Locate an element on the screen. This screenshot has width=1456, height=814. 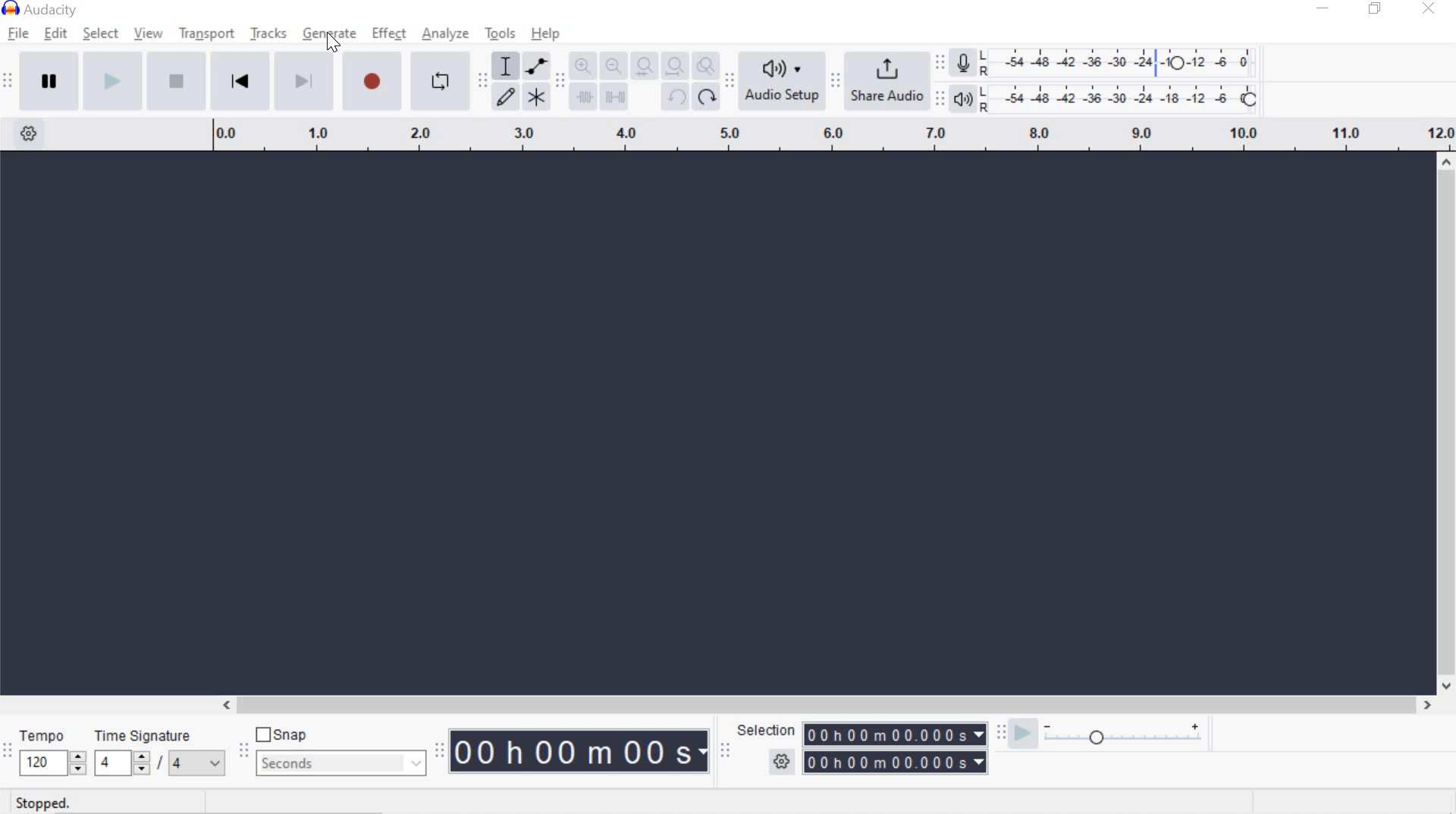
time selection is located at coordinates (895, 734).